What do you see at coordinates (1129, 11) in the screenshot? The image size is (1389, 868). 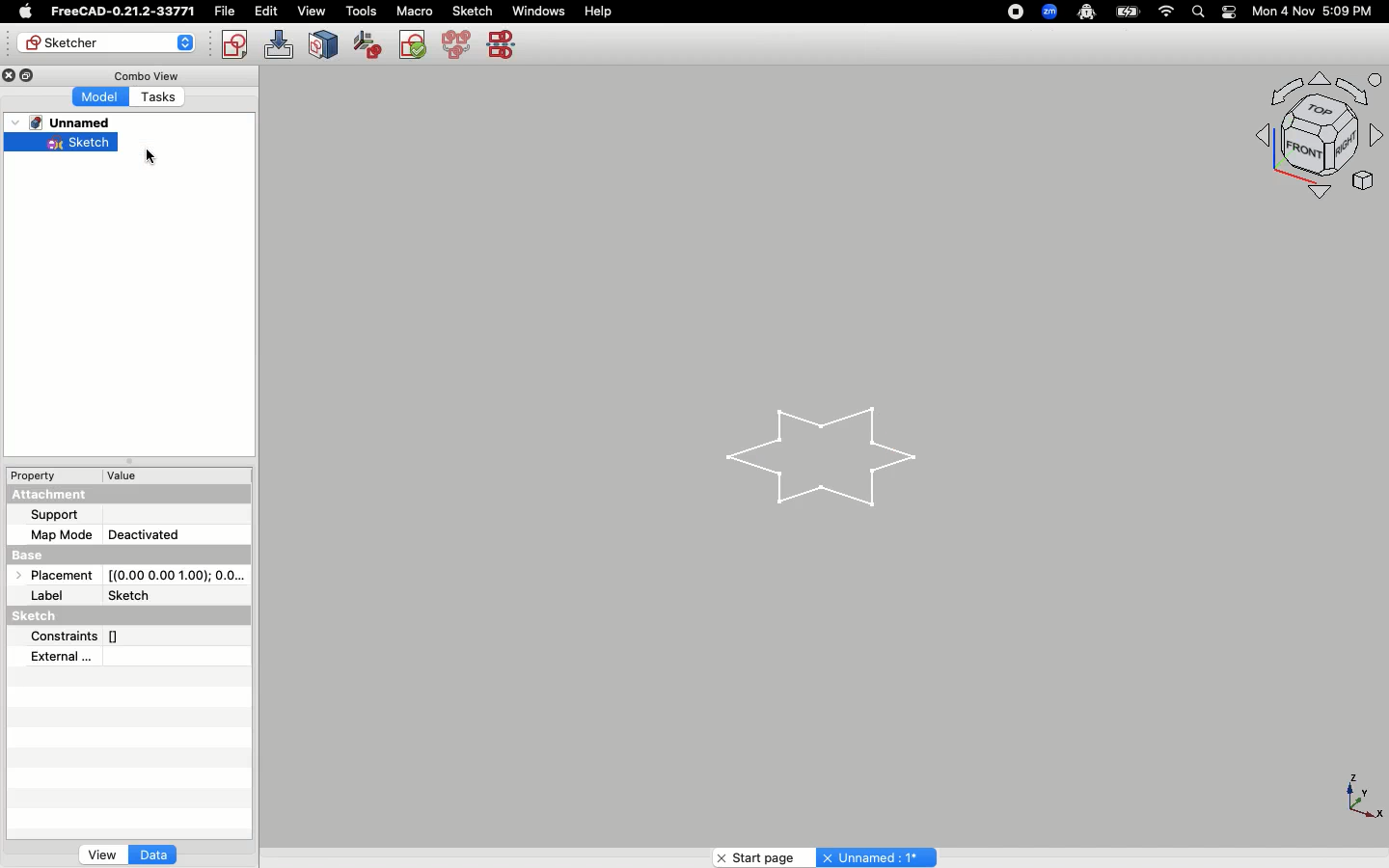 I see `Battery` at bounding box center [1129, 11].